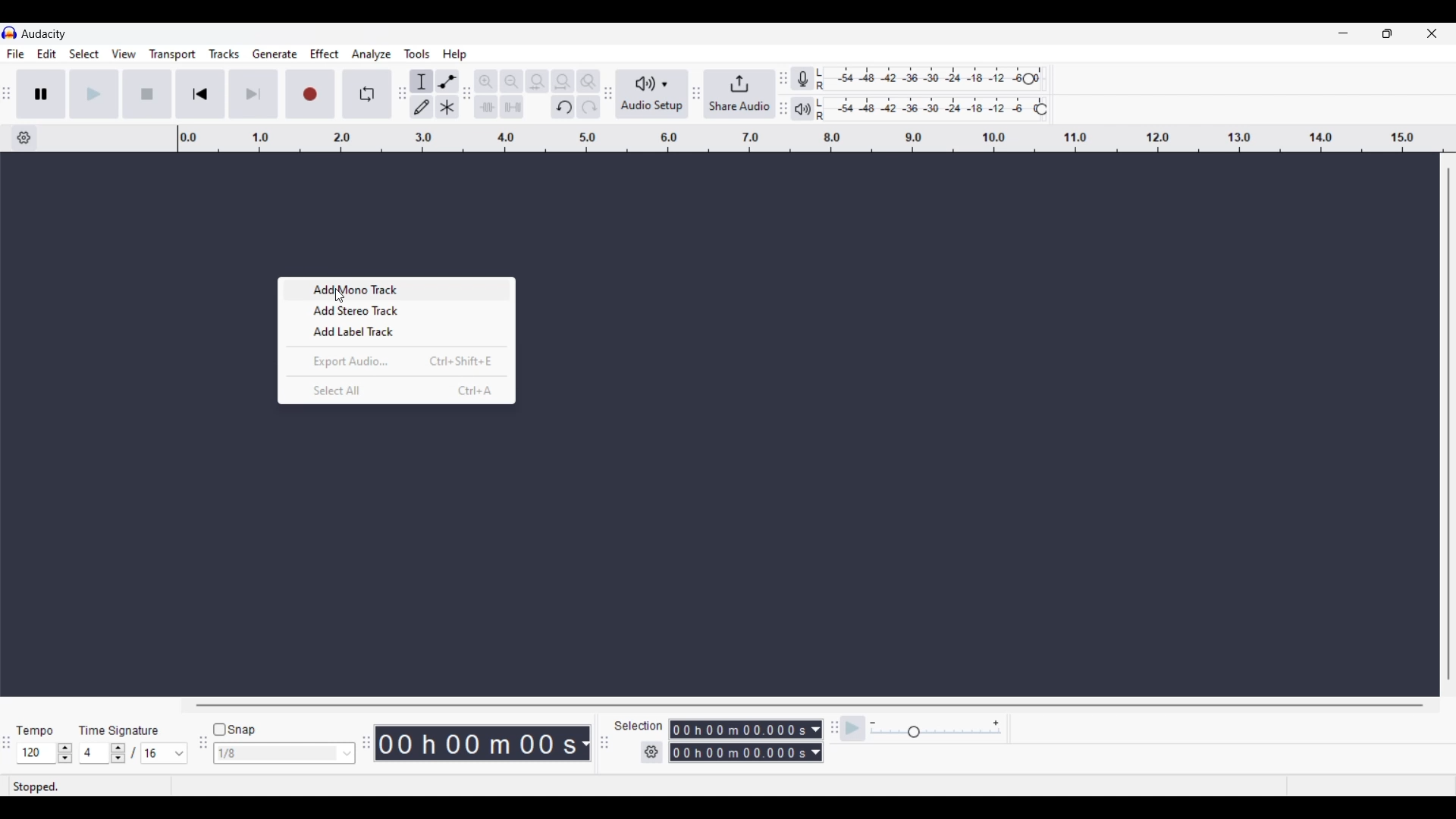  What do you see at coordinates (422, 107) in the screenshot?
I see `Draw tool` at bounding box center [422, 107].